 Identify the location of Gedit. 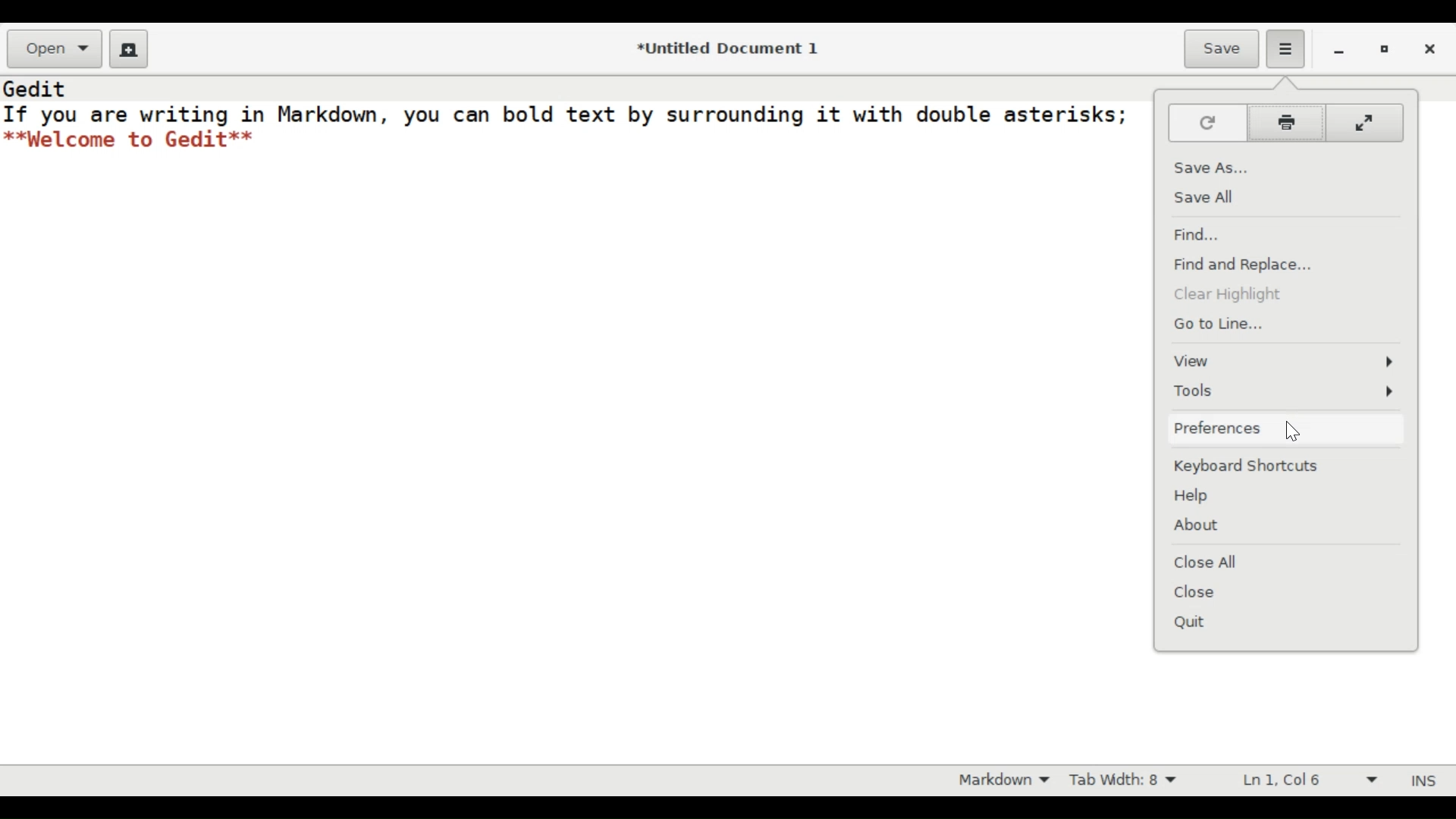
(36, 86).